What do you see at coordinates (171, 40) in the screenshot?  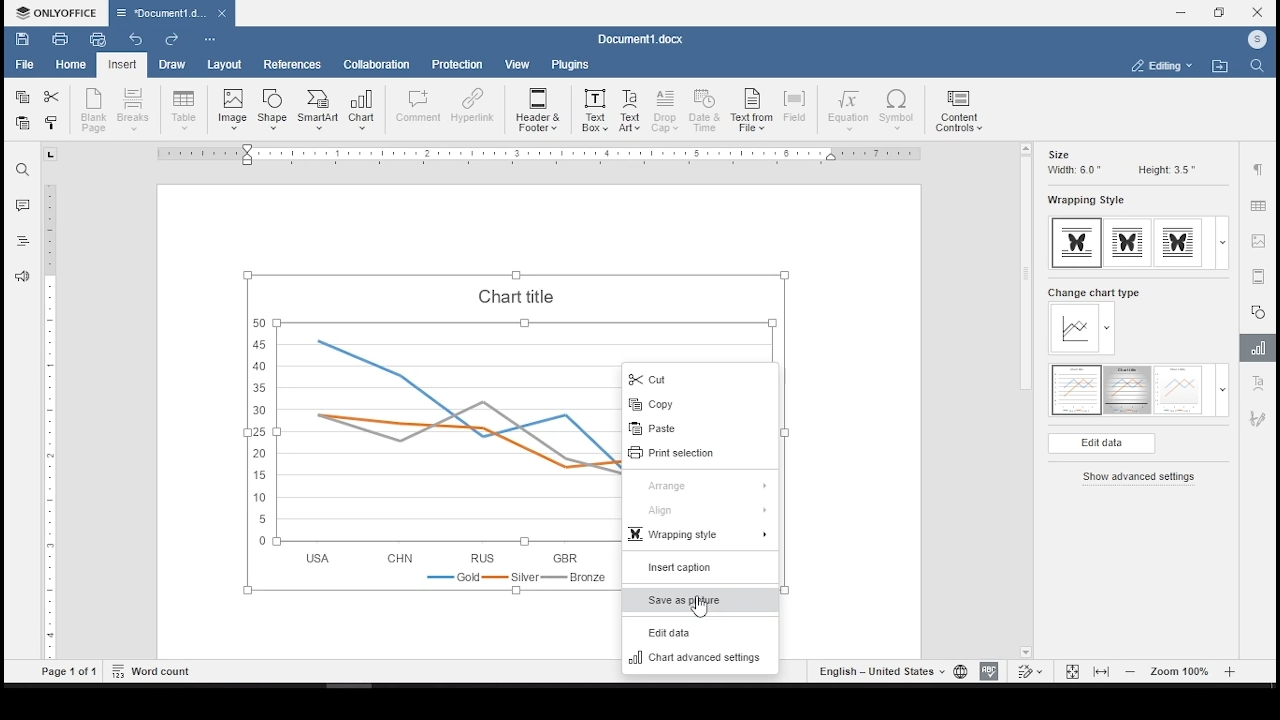 I see `redo` at bounding box center [171, 40].